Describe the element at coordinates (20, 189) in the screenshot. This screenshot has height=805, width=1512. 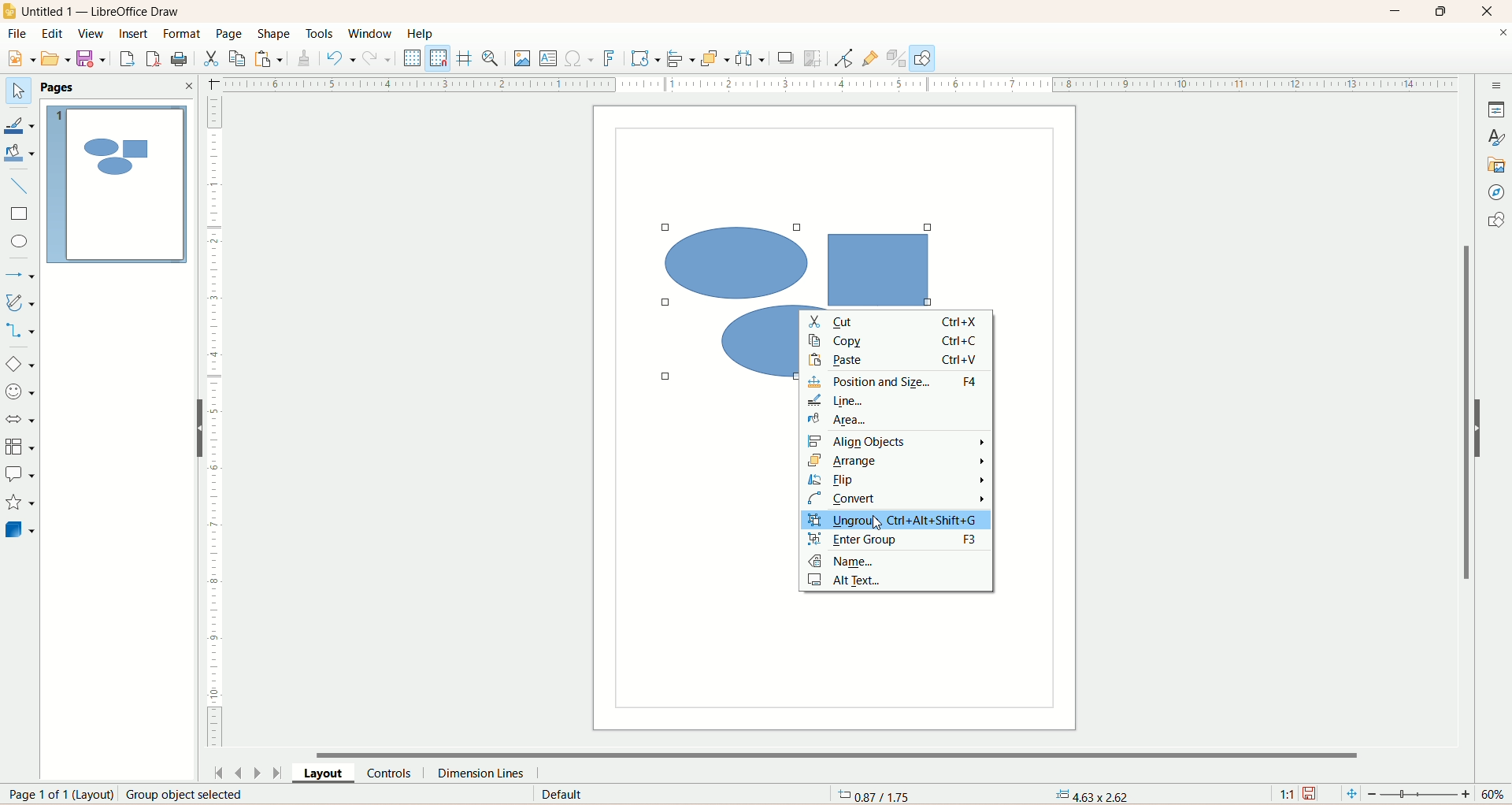
I see `insert line` at that location.